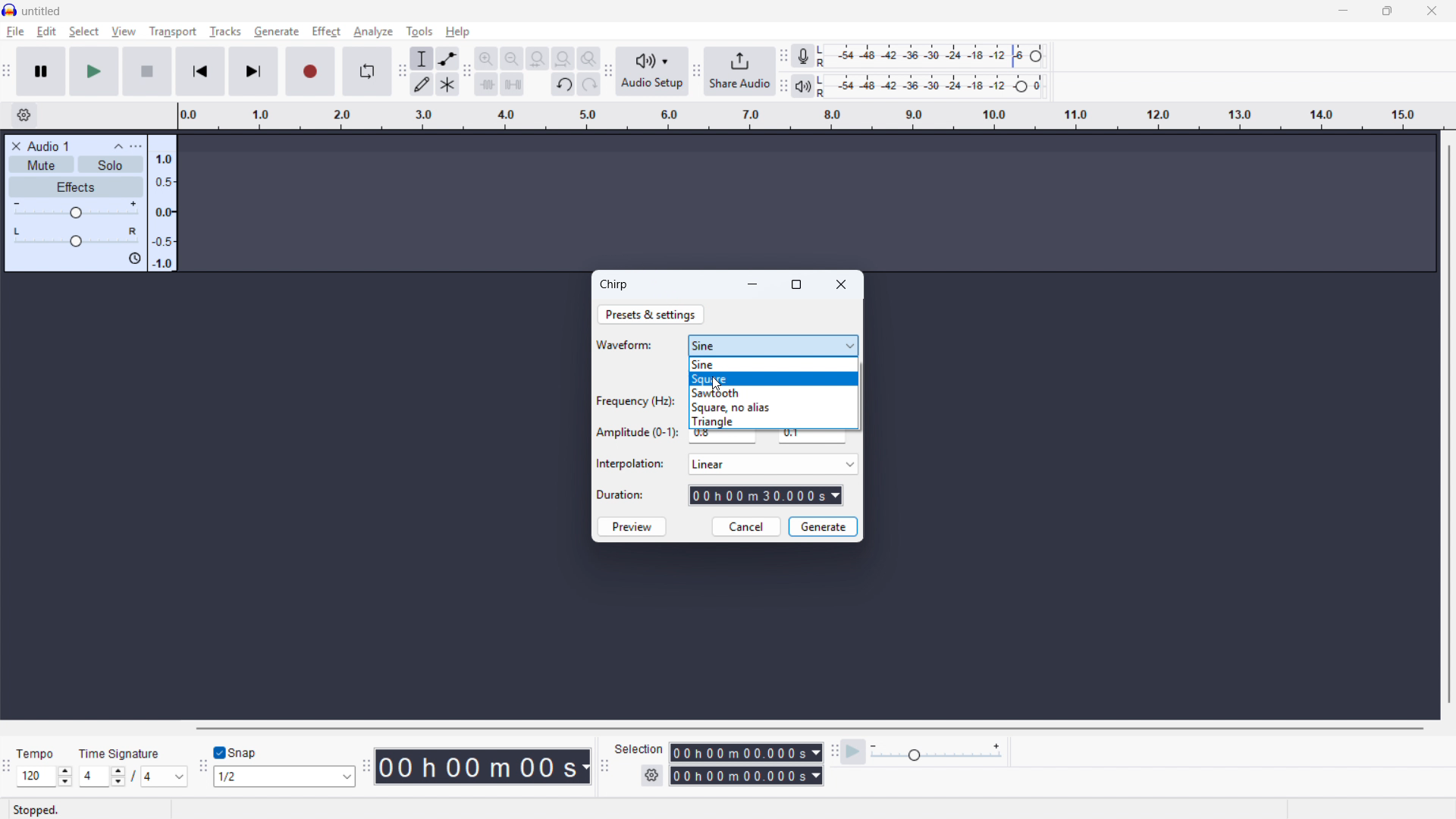 This screenshot has width=1456, height=819. Describe the element at coordinates (401, 72) in the screenshot. I see `Tools toolbar ` at that location.